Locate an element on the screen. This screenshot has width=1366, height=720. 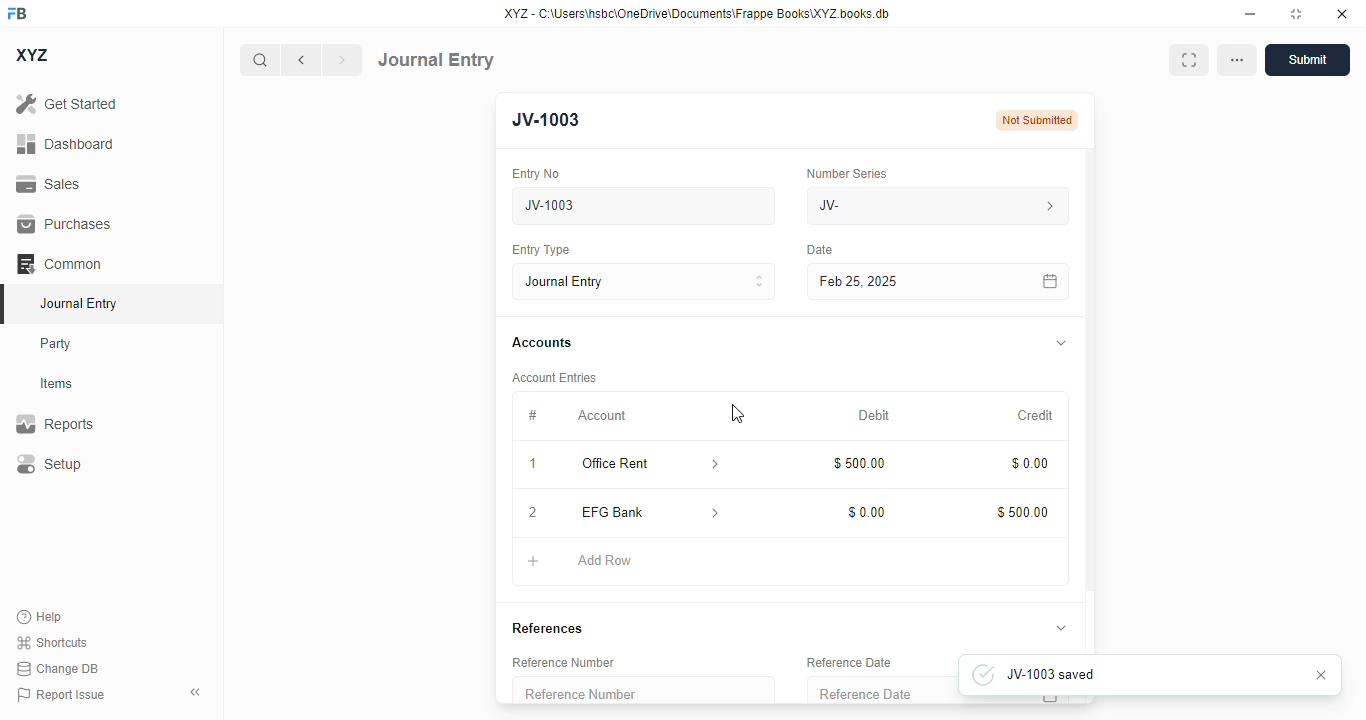
previous is located at coordinates (301, 60).